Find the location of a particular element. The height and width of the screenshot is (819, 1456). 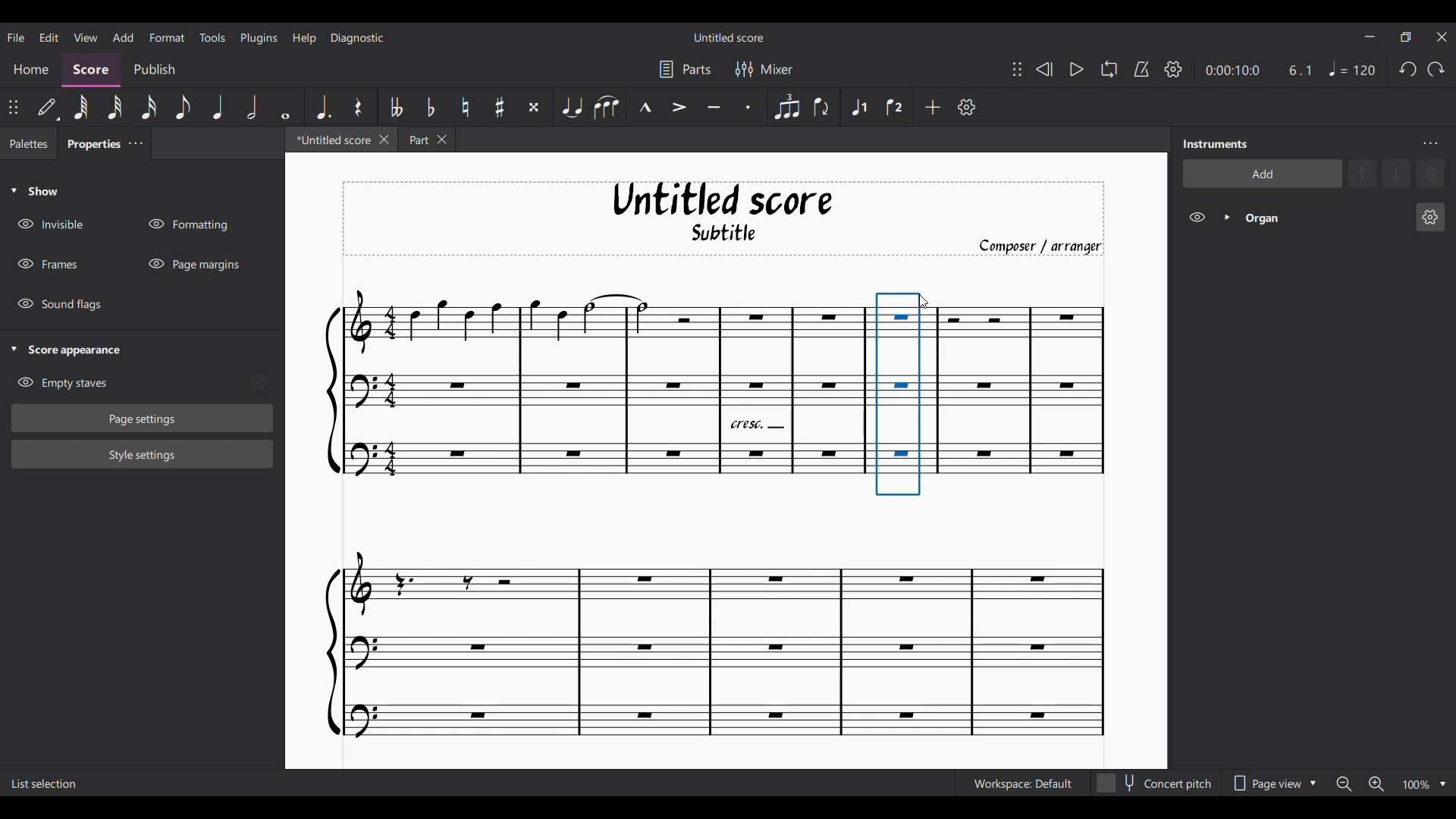

Flip direction is located at coordinates (822, 107).